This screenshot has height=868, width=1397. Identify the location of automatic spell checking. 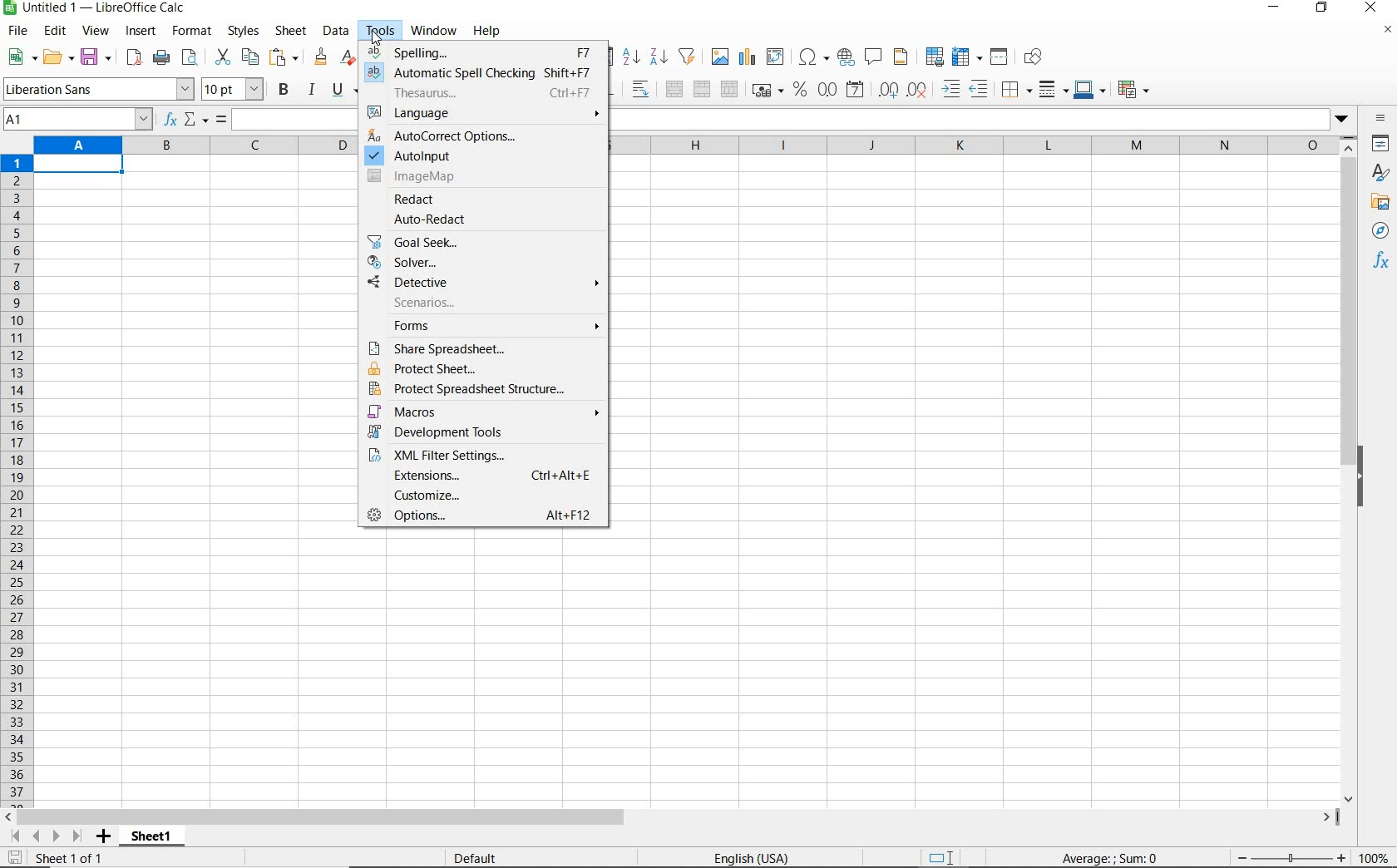
(486, 72).